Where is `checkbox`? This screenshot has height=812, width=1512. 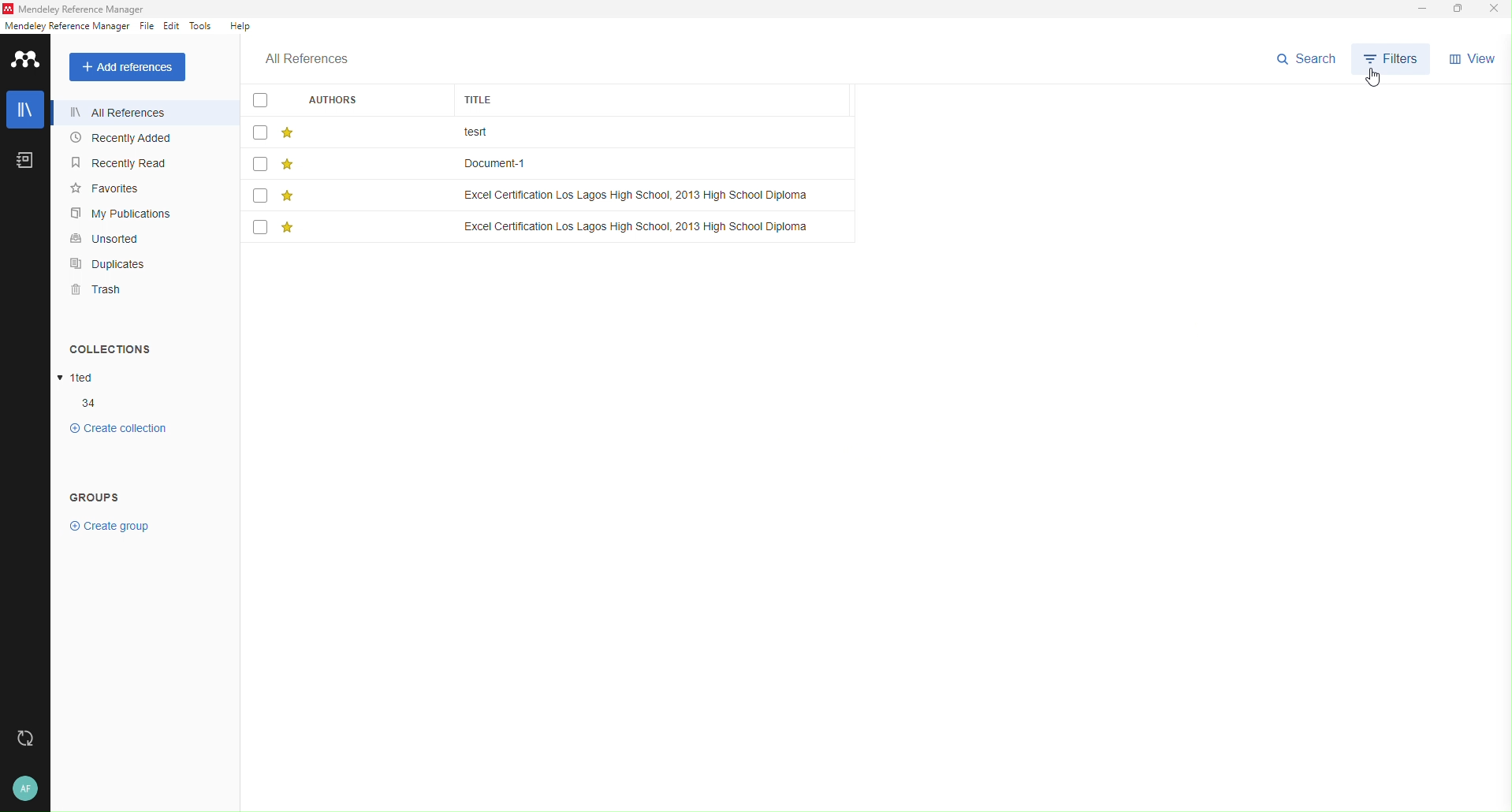 checkbox is located at coordinates (261, 194).